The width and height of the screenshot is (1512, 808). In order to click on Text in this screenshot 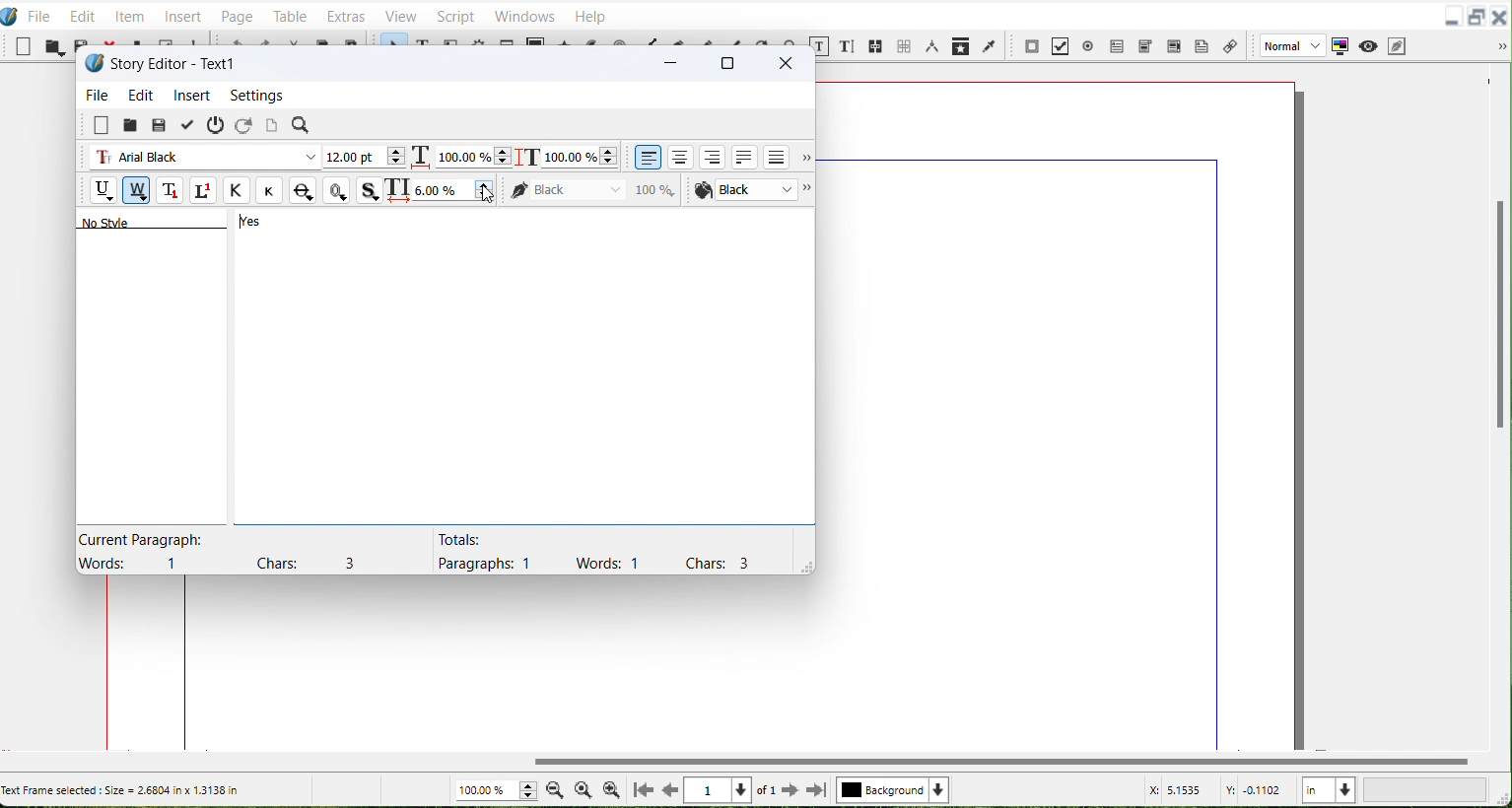, I will do `click(180, 64)`.